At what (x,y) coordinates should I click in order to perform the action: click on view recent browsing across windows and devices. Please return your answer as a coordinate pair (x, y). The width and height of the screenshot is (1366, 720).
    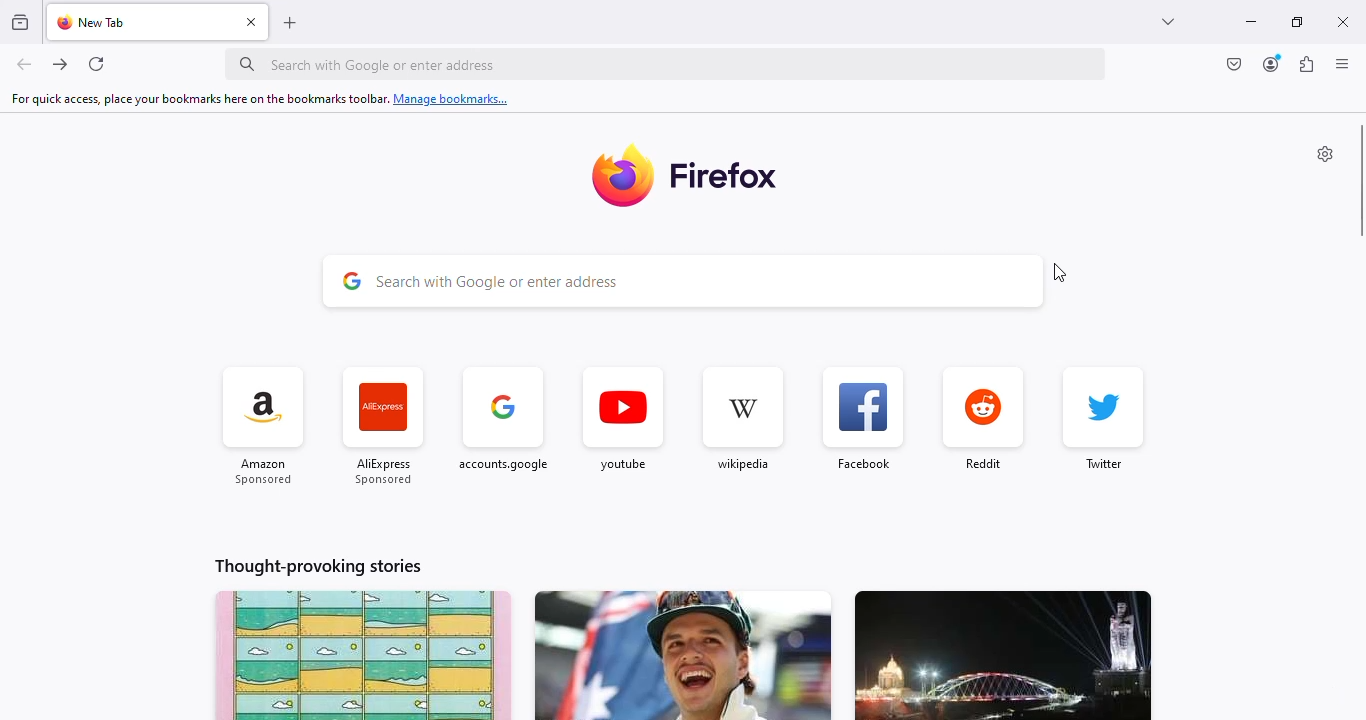
    Looking at the image, I should click on (20, 21).